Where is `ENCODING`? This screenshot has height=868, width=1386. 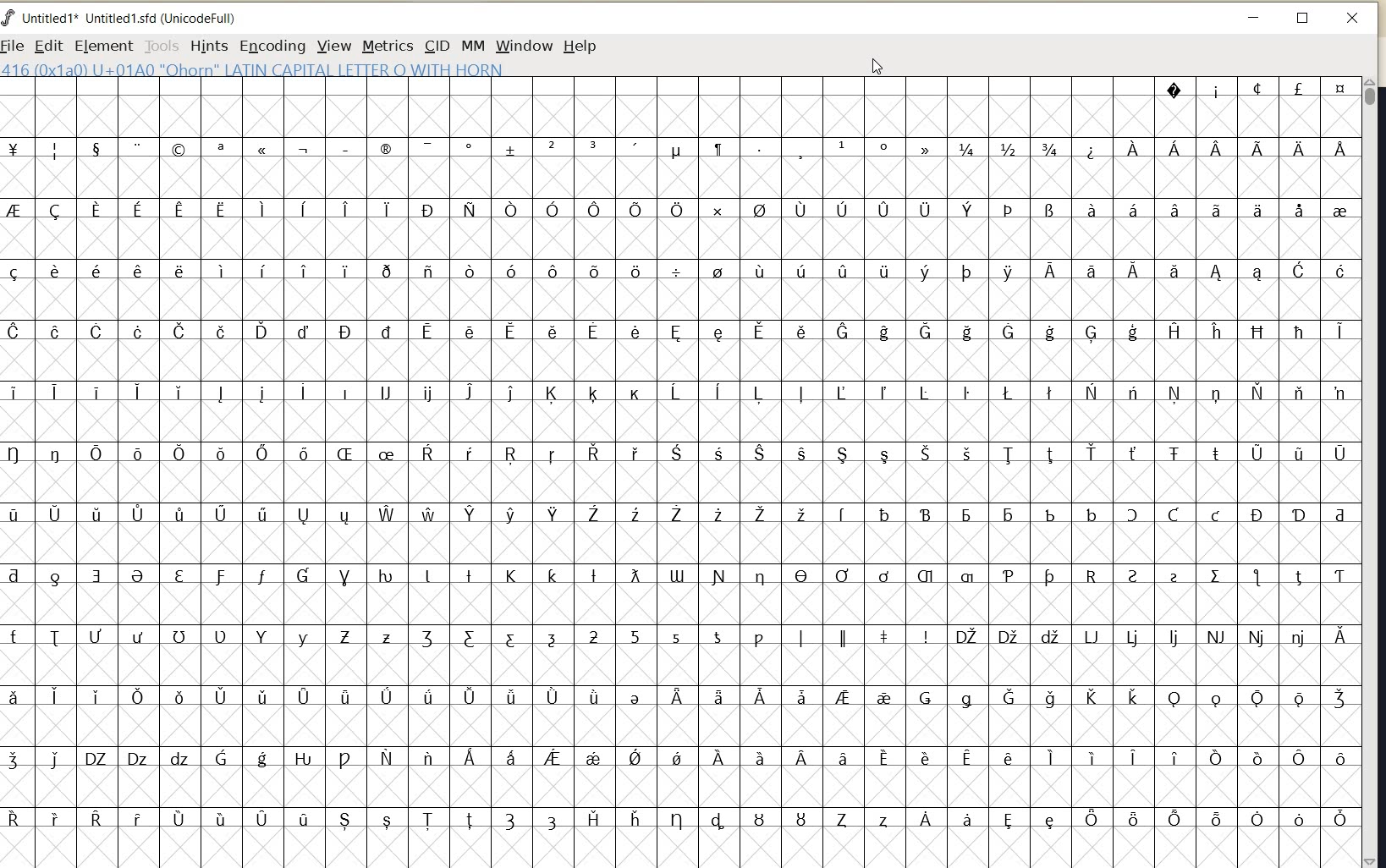 ENCODING is located at coordinates (272, 47).